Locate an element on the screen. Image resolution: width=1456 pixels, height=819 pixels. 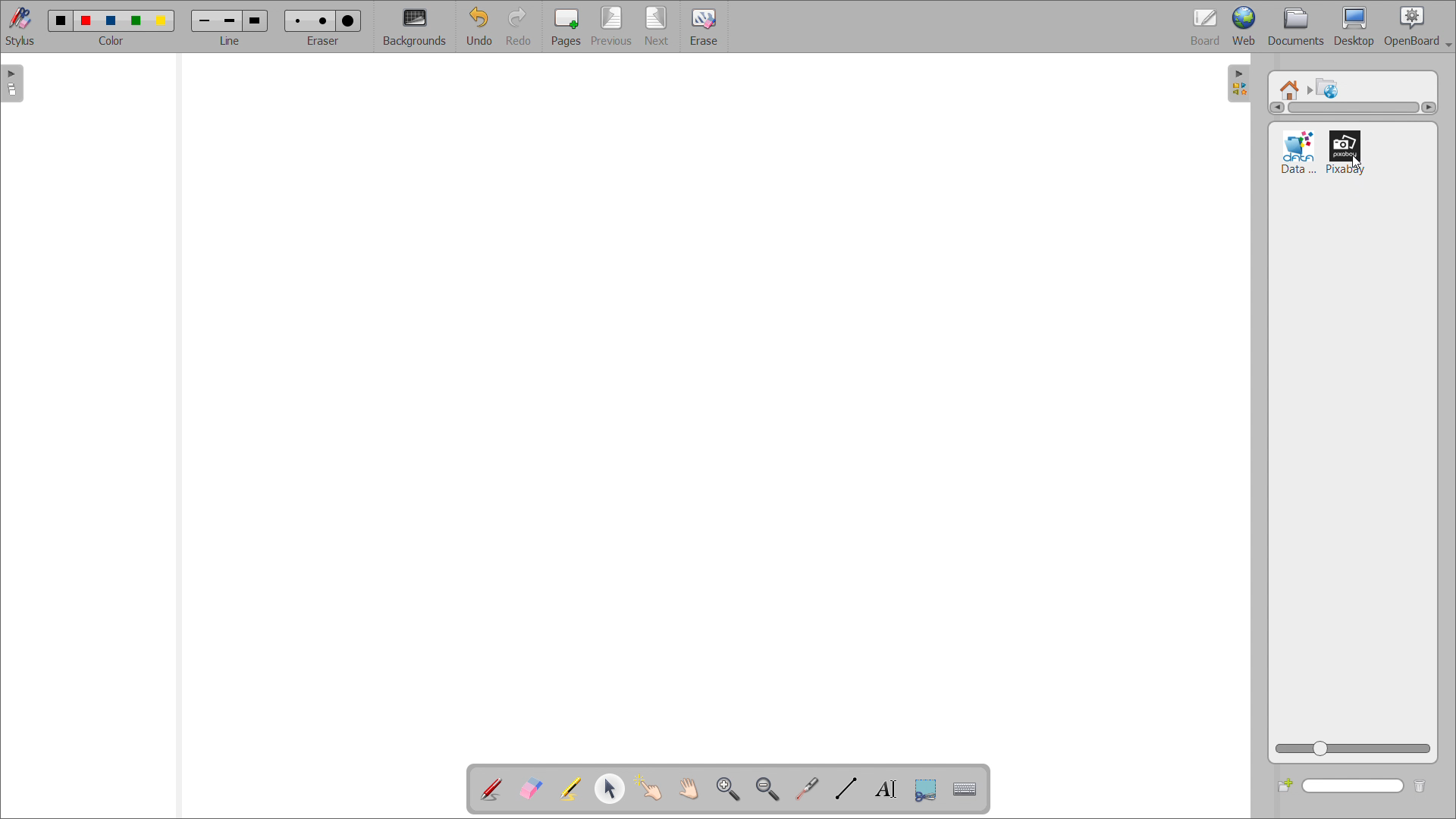
next page is located at coordinates (658, 26).